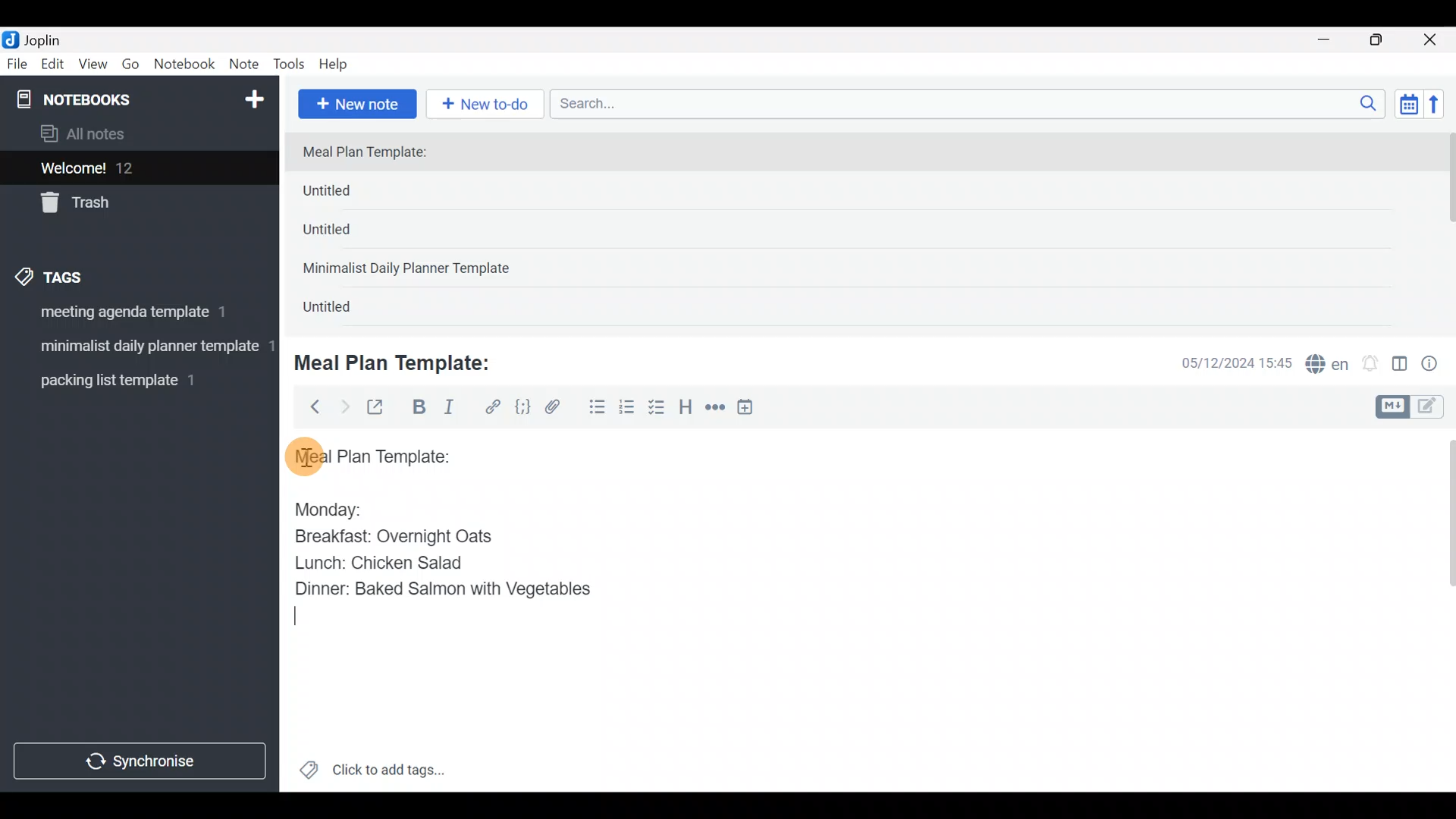 This screenshot has width=1456, height=819. I want to click on Trash, so click(130, 204).